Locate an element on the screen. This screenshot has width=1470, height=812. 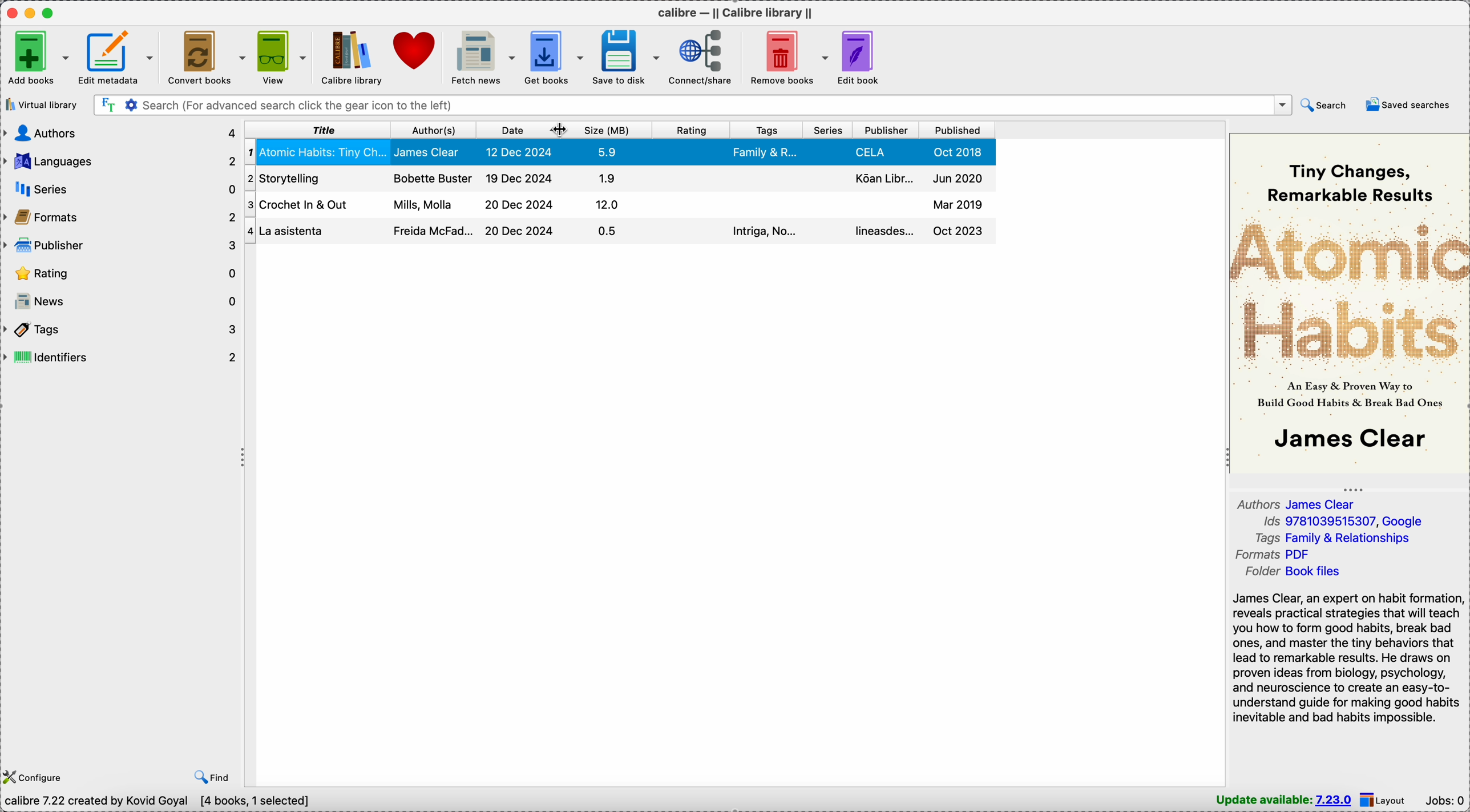
find is located at coordinates (209, 776).